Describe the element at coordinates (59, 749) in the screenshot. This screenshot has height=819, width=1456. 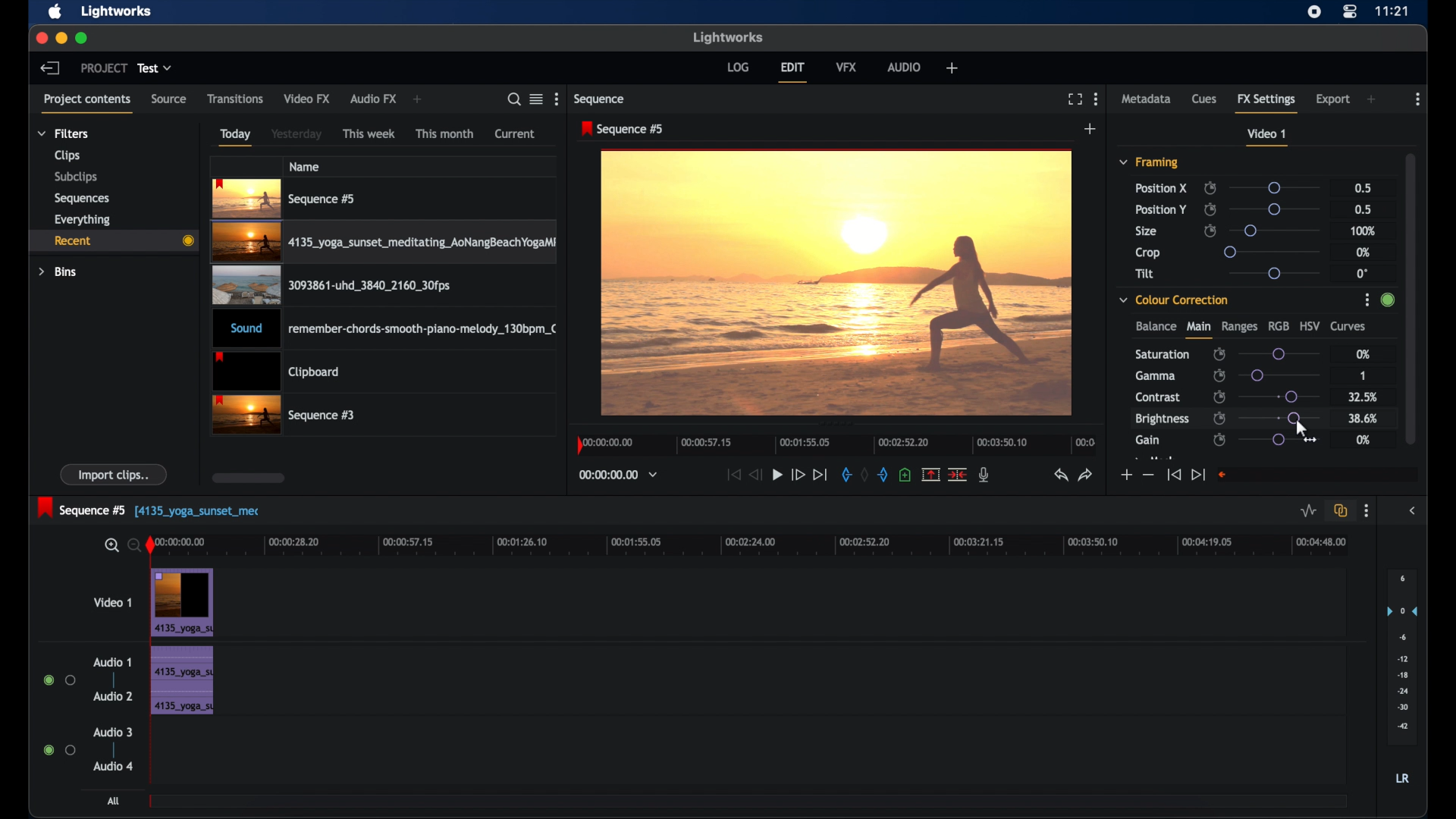
I see `radio button` at that location.